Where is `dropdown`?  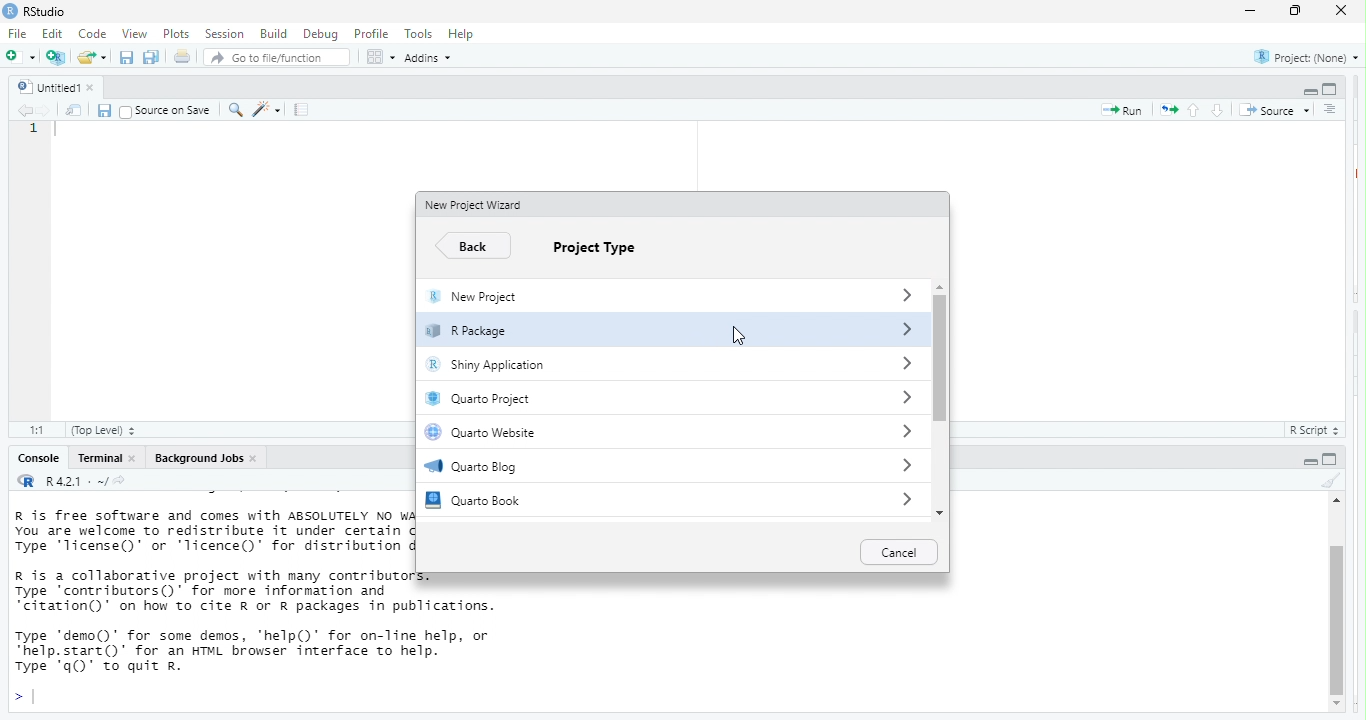
dropdown is located at coordinates (902, 328).